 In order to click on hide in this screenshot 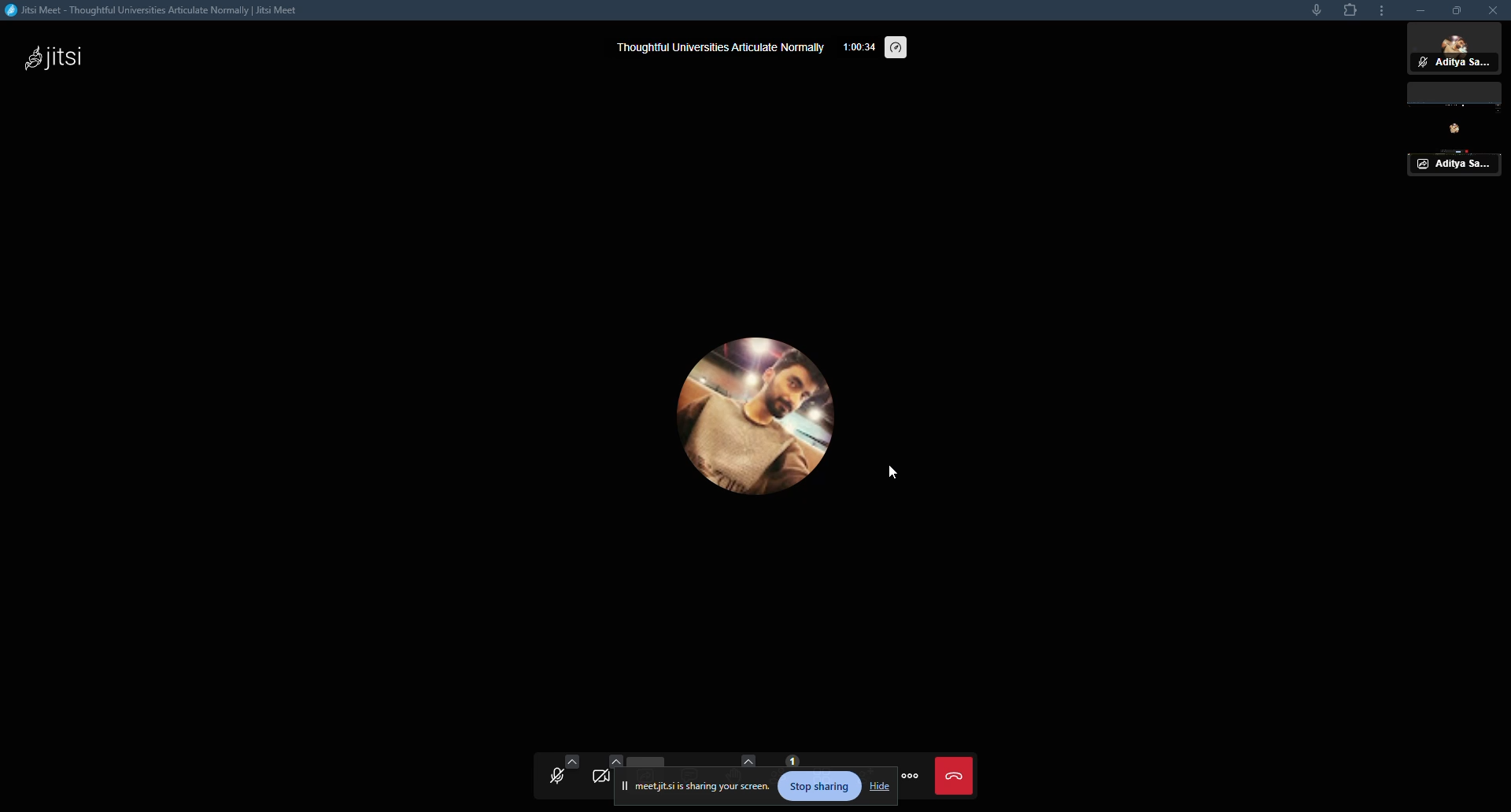, I will do `click(881, 784)`.